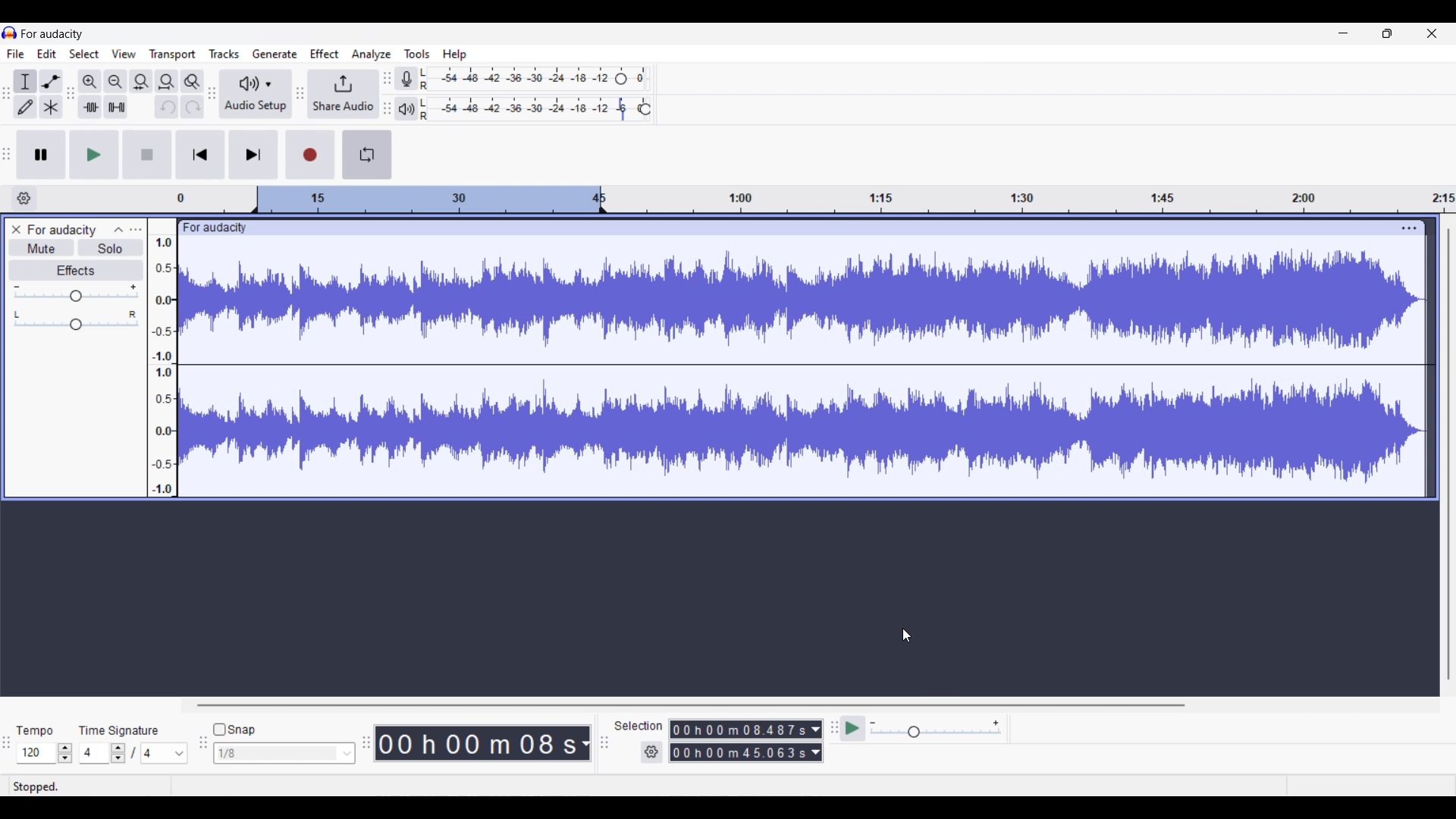 The height and width of the screenshot is (819, 1456). Describe the element at coordinates (690, 705) in the screenshot. I see `Horizontal slide bar` at that location.